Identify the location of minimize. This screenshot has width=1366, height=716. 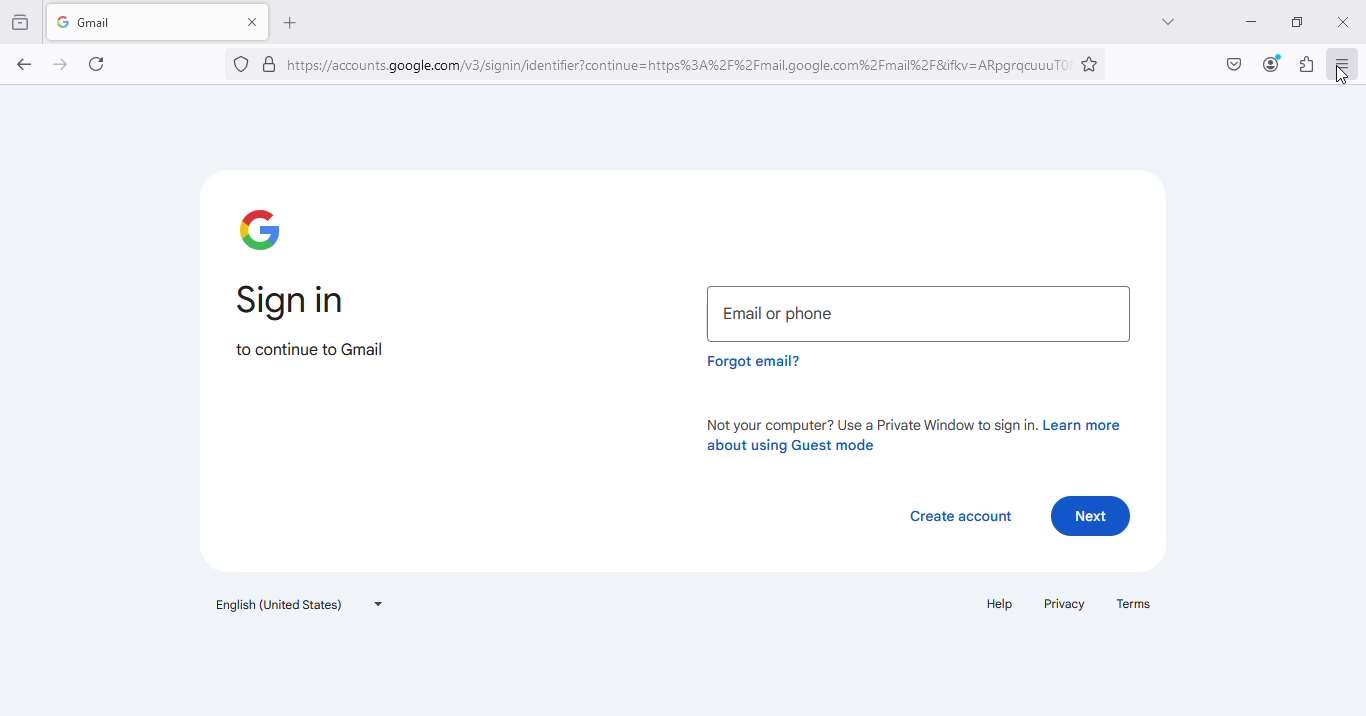
(1252, 23).